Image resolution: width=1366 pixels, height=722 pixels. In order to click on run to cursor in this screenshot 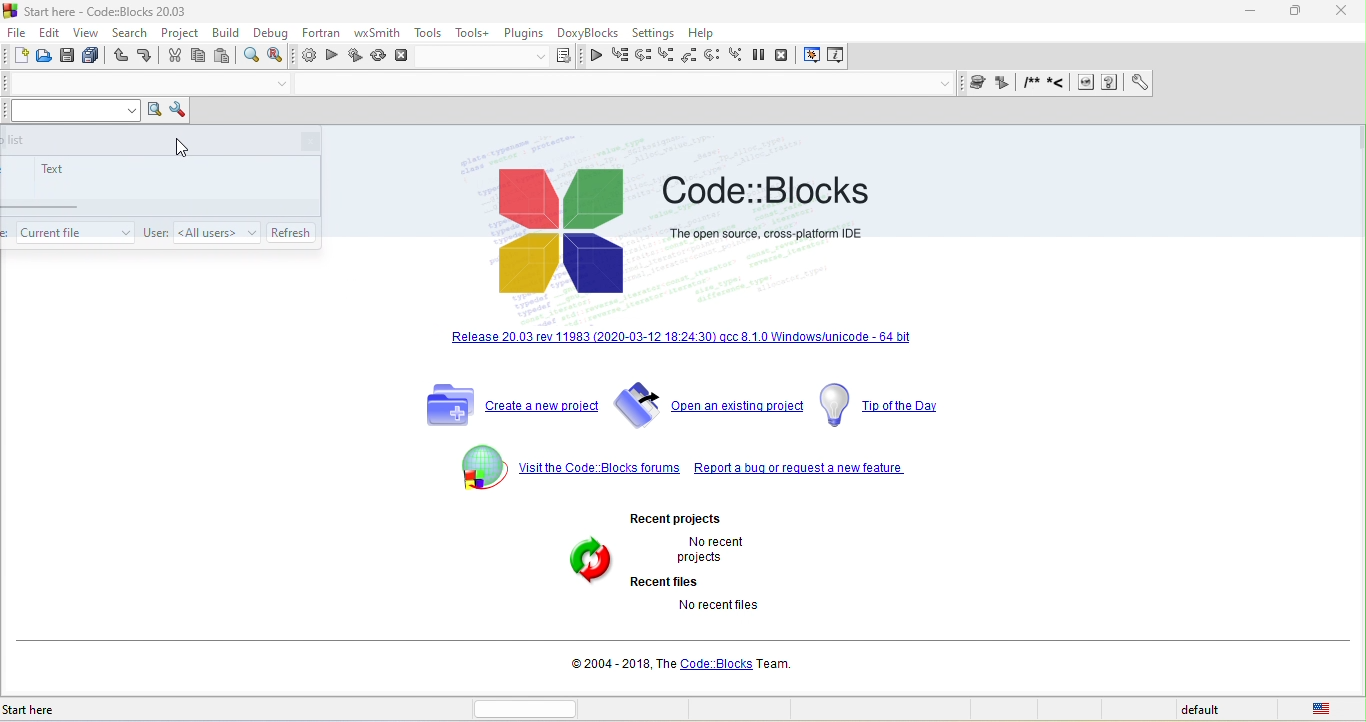, I will do `click(620, 56)`.